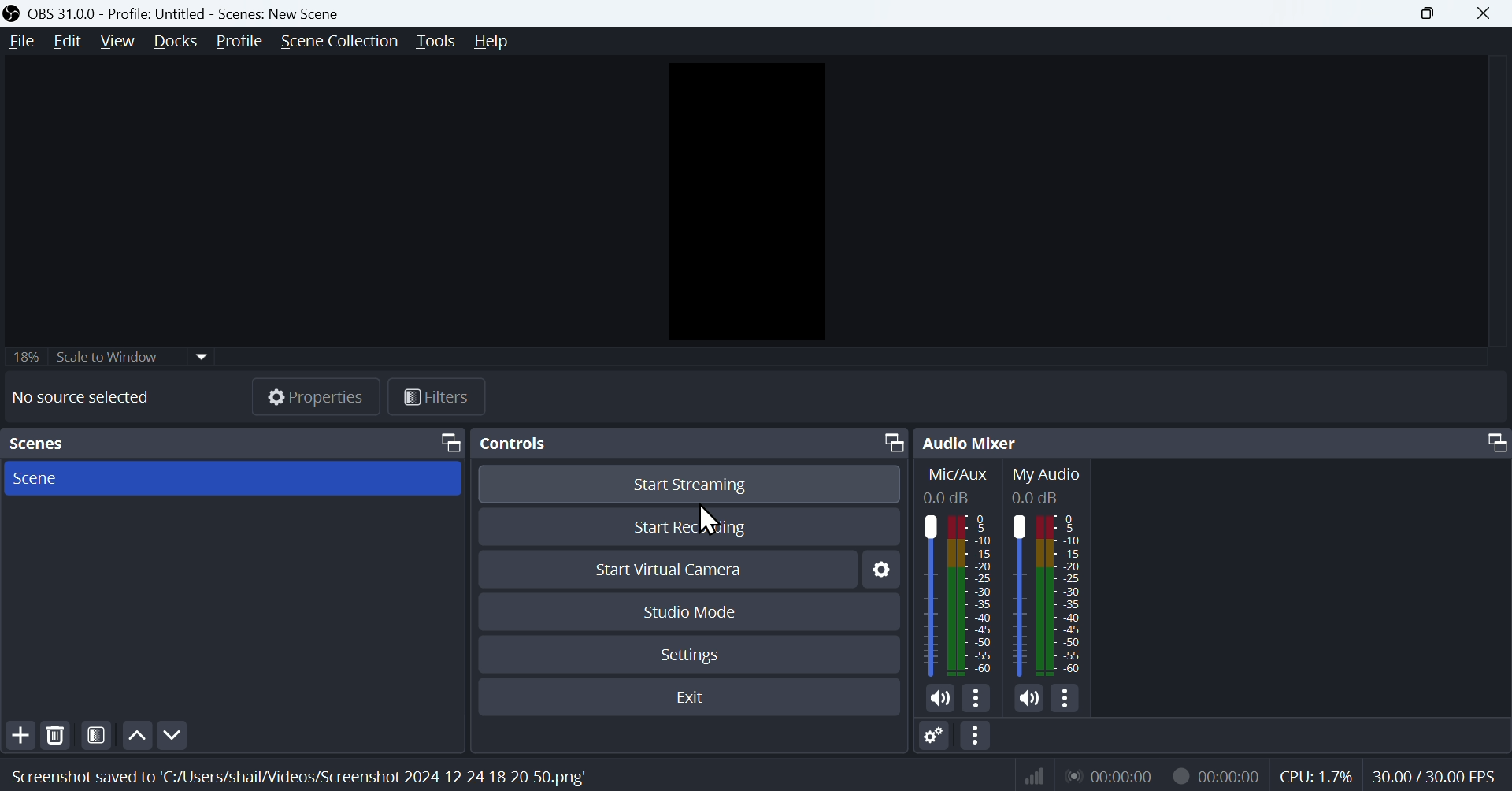  Describe the element at coordinates (435, 43) in the screenshot. I see `Tools` at that location.